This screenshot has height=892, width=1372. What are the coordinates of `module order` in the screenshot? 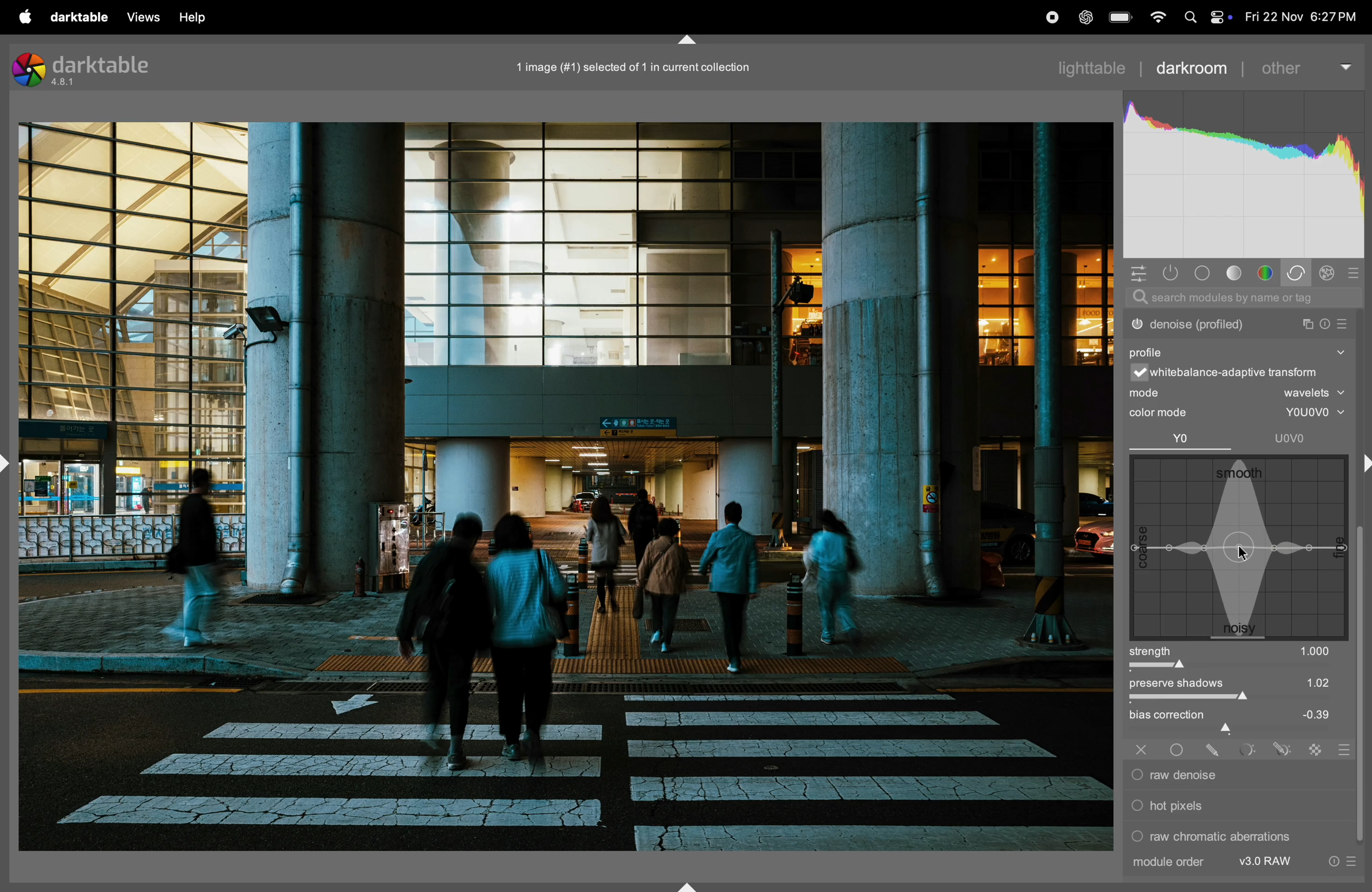 It's located at (1208, 862).